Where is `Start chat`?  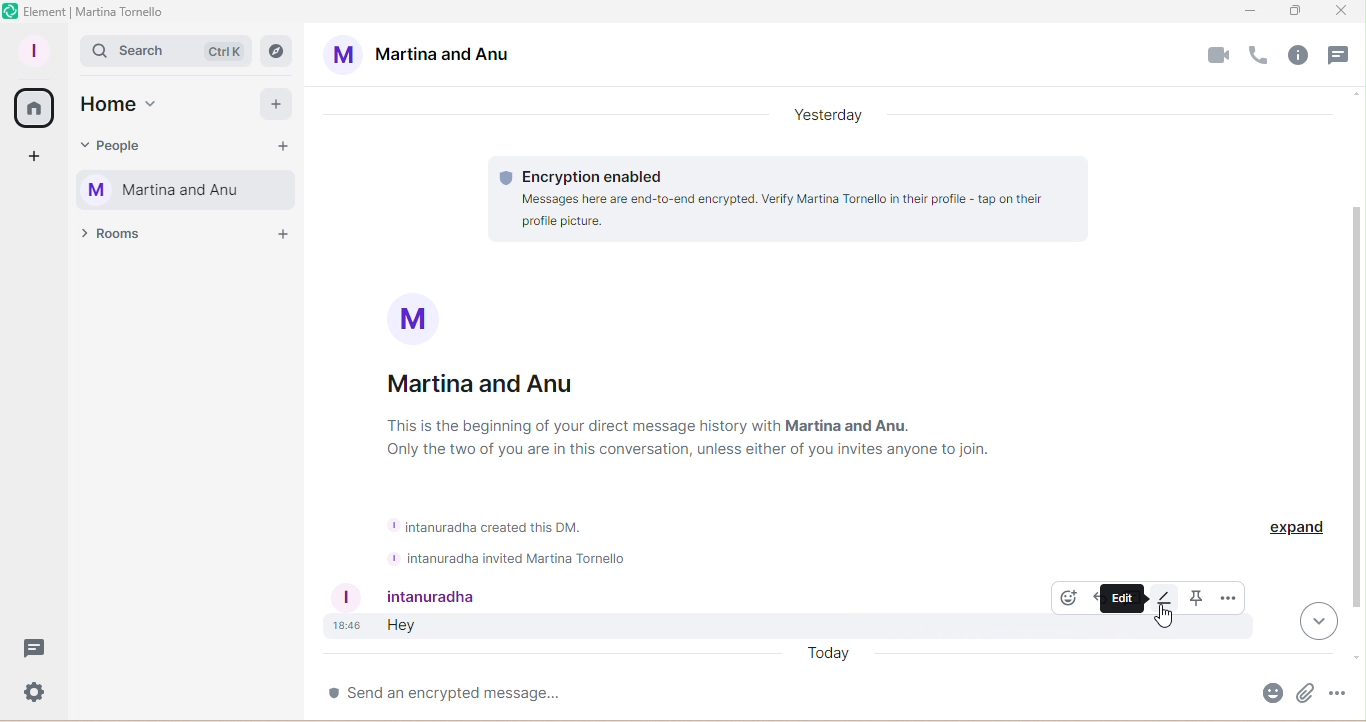
Start chat is located at coordinates (282, 147).